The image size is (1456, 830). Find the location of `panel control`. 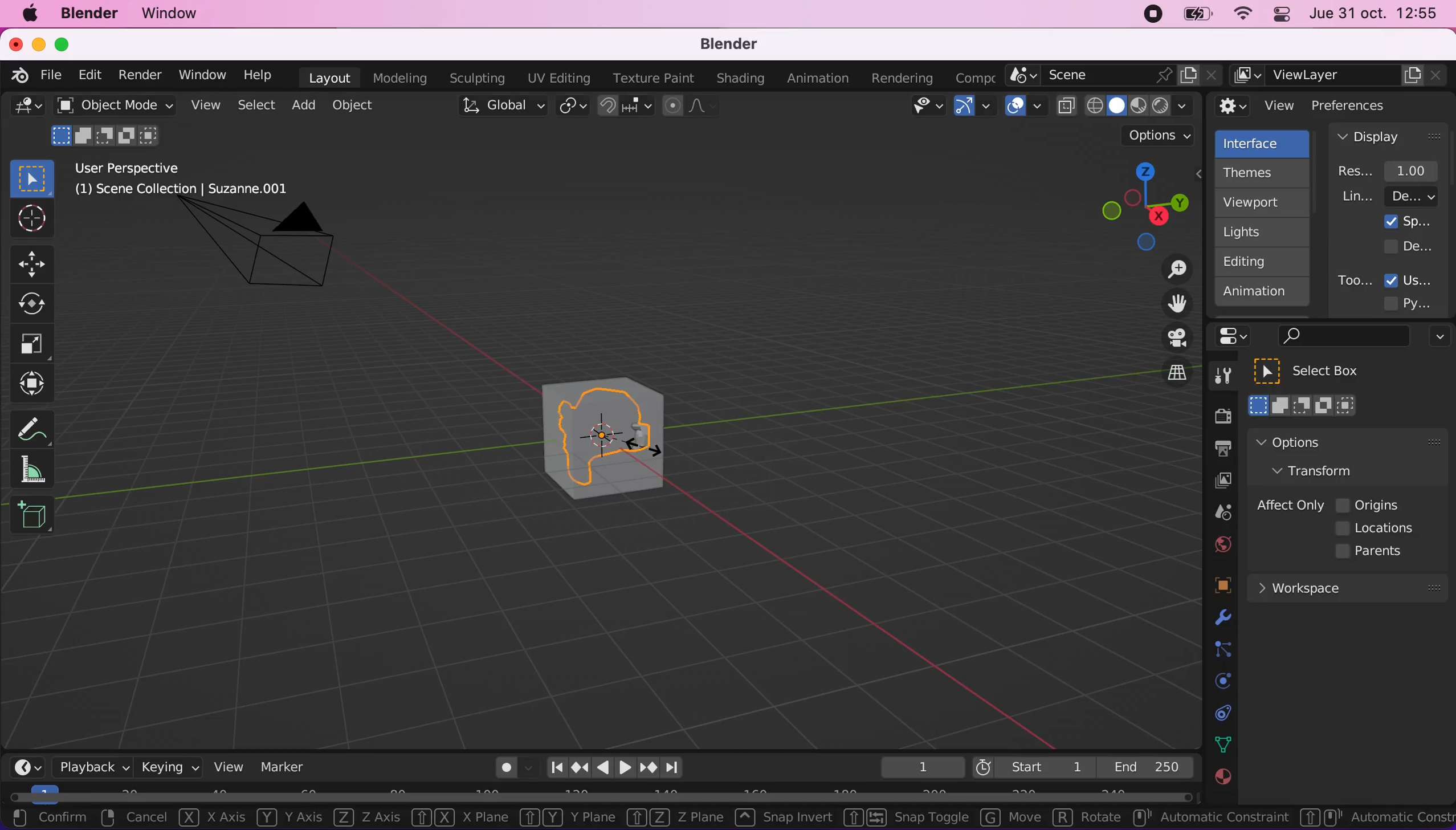

panel control is located at coordinates (1279, 16).